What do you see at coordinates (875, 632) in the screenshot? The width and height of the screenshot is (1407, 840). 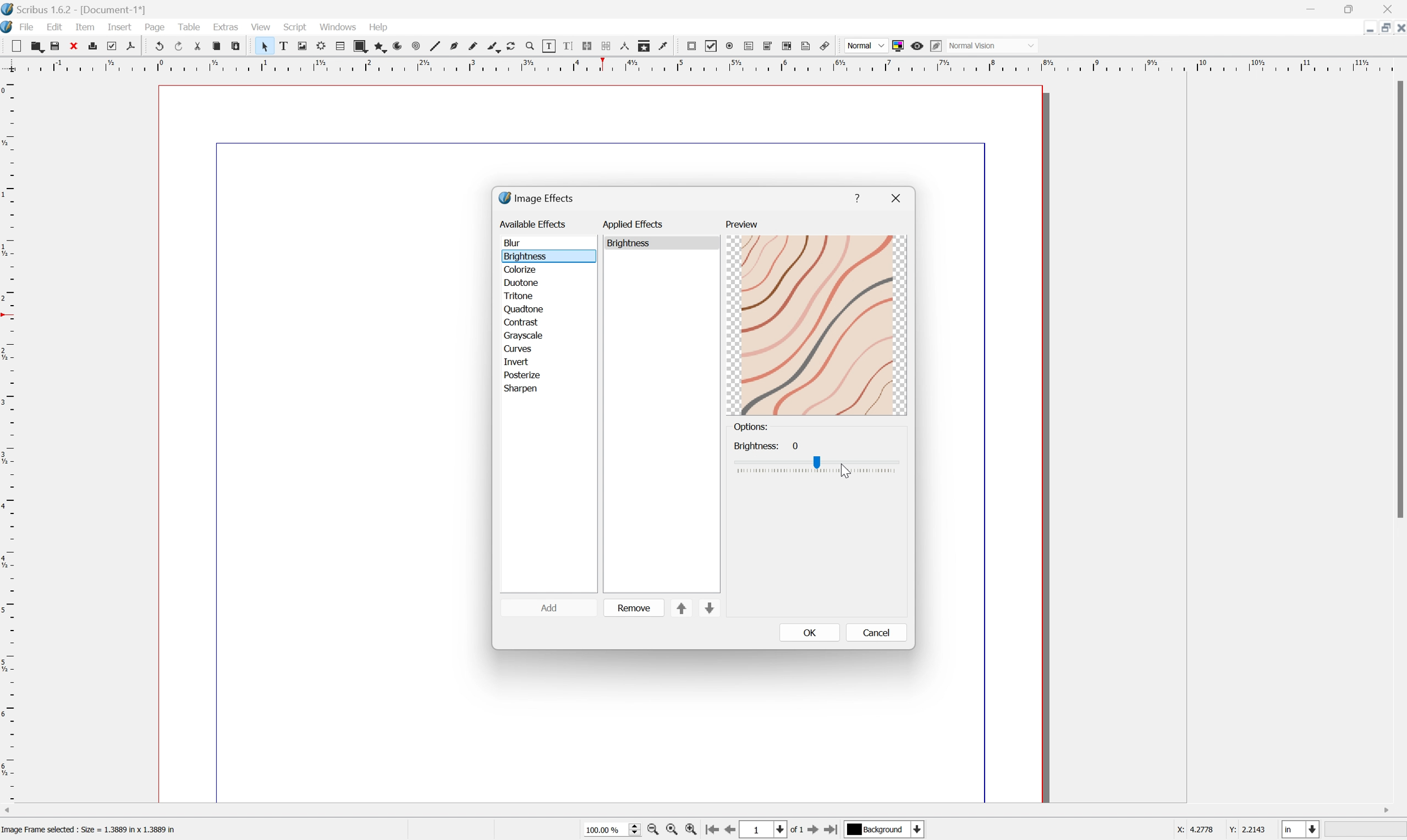 I see `cancel` at bounding box center [875, 632].